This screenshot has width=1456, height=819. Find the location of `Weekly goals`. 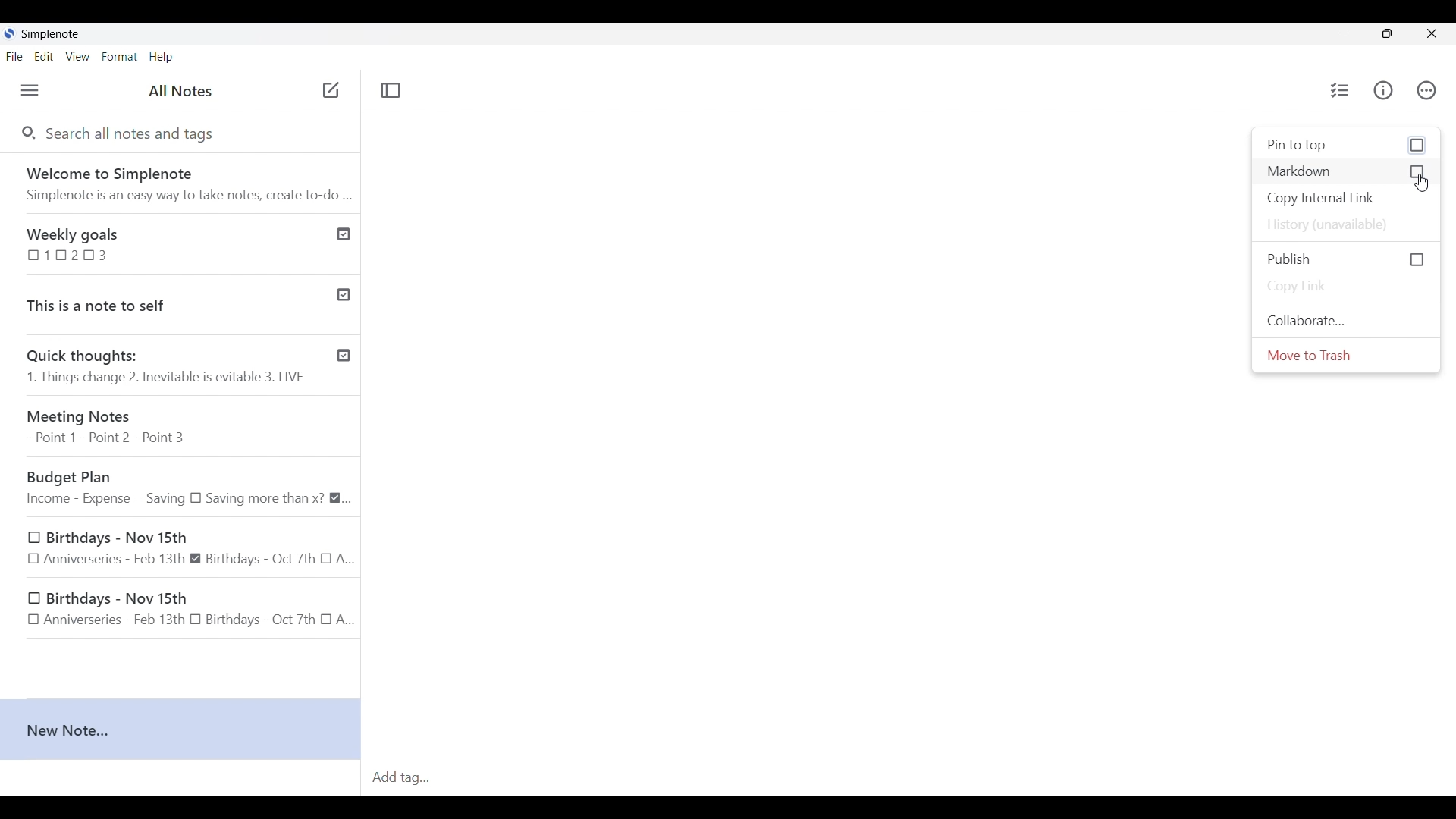

Weekly goals is located at coordinates (162, 243).